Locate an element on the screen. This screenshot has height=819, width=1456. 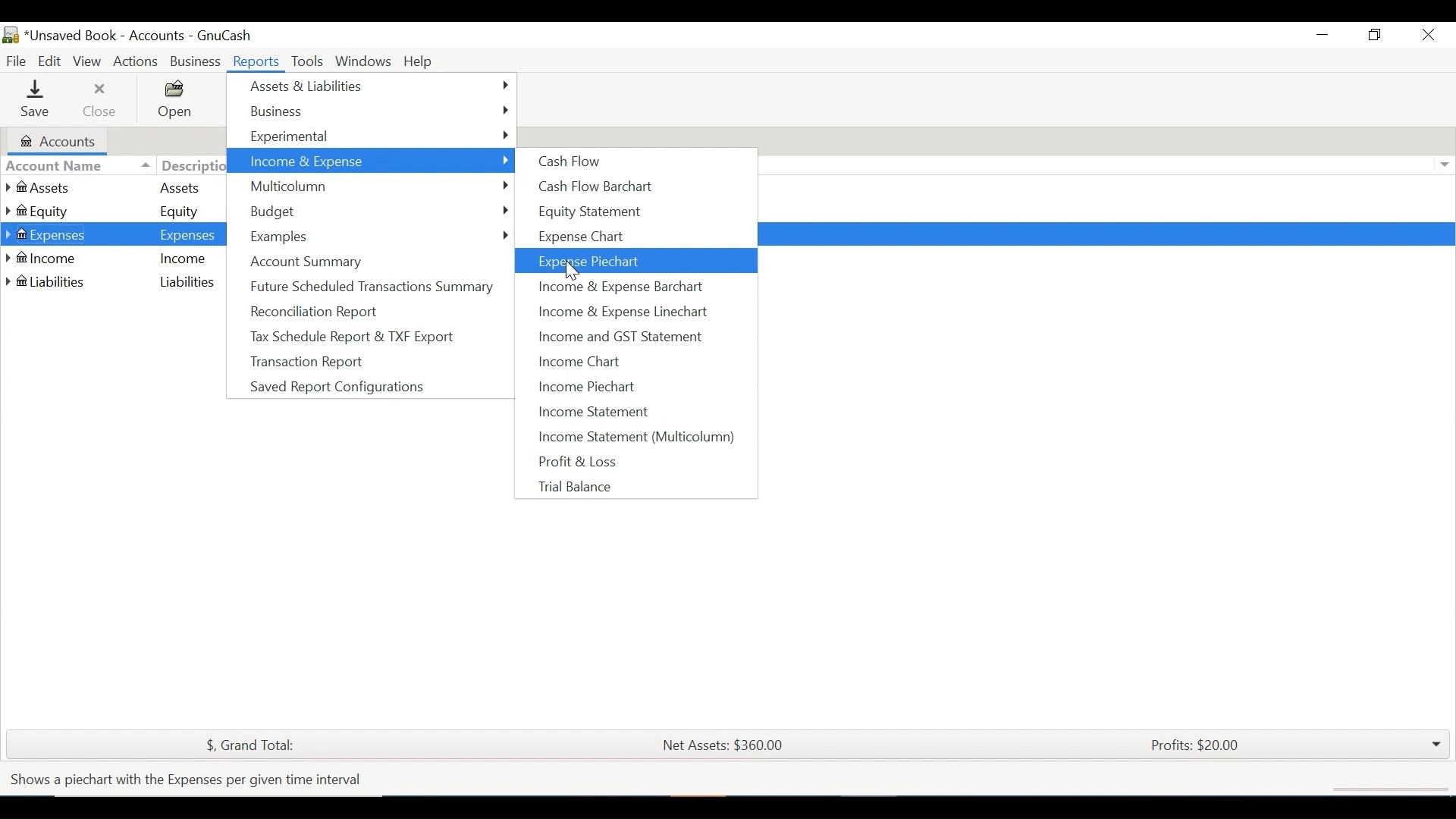
Income & Expenses is located at coordinates (369, 161).